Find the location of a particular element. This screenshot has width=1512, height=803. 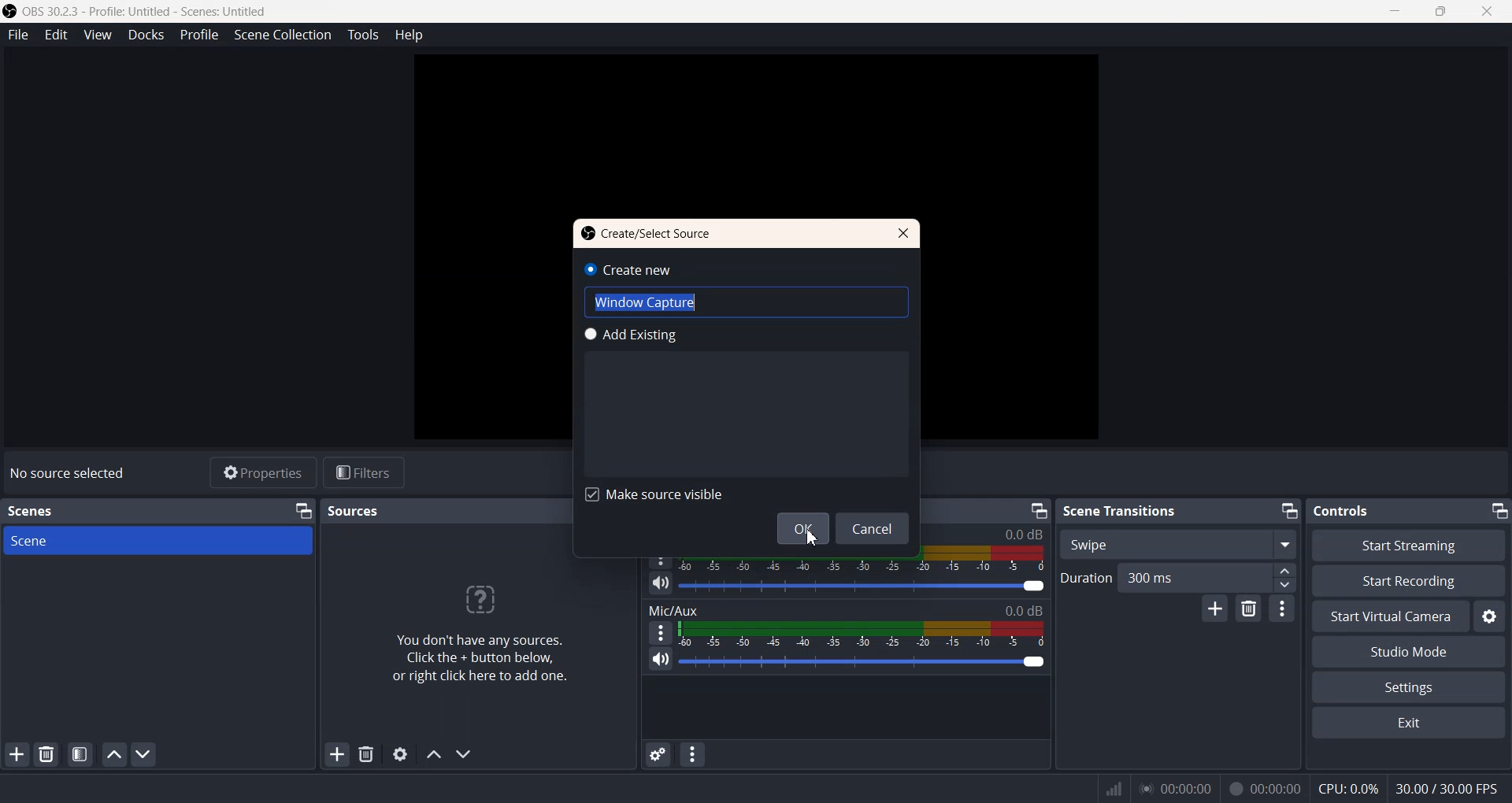

View is located at coordinates (98, 35).